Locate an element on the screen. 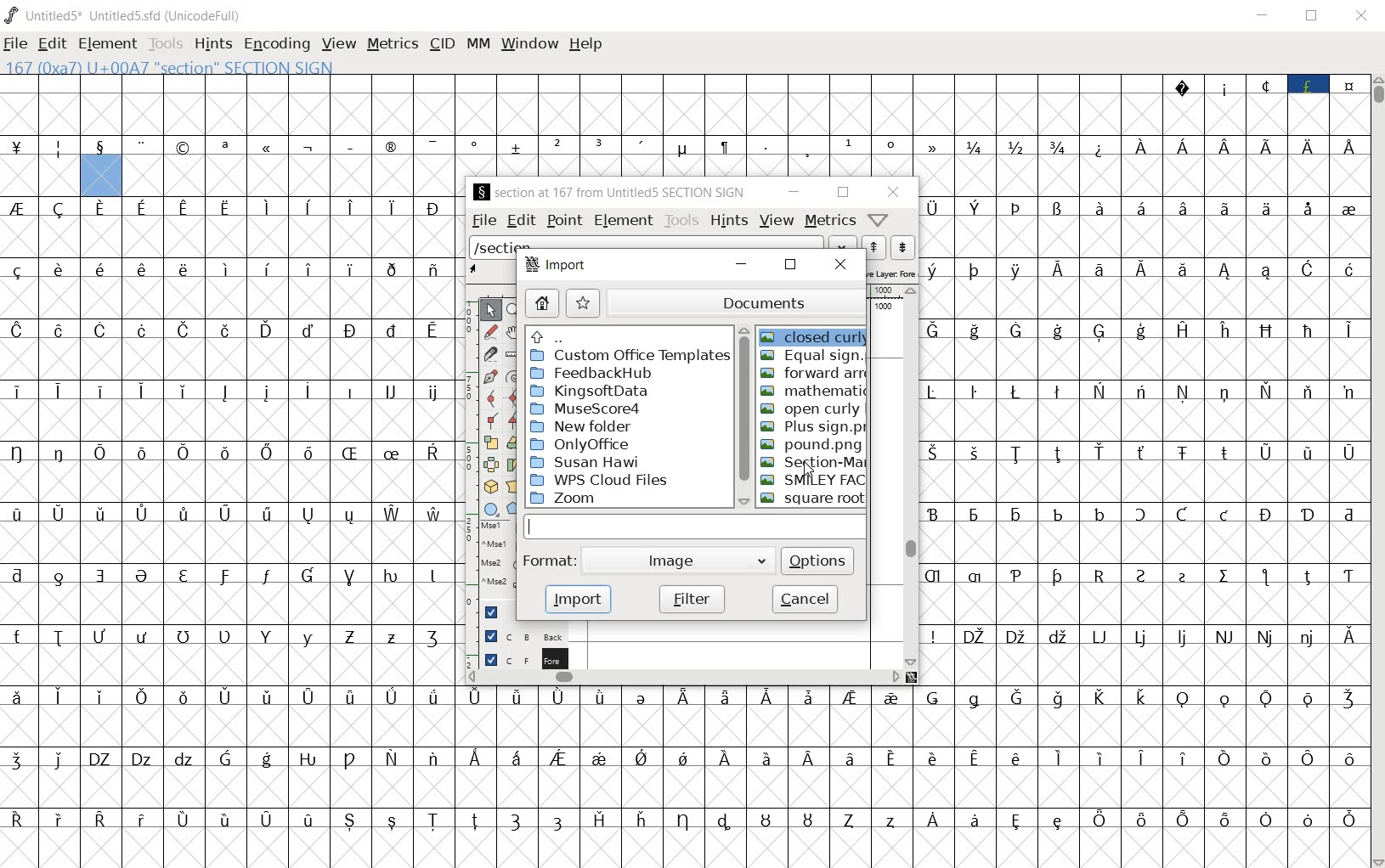  empty cells is located at coordinates (1145, 421).